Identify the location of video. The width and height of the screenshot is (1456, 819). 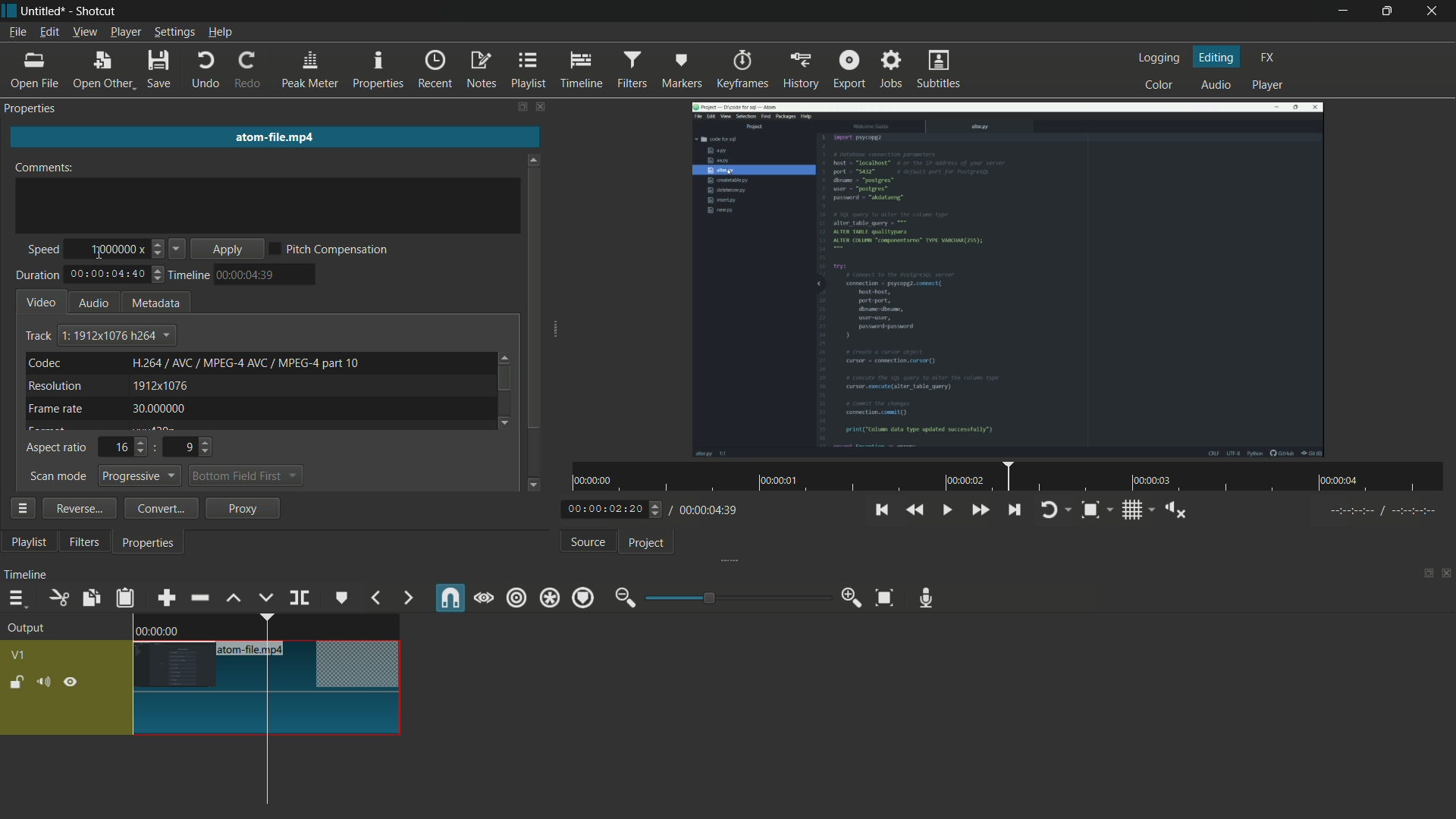
(42, 302).